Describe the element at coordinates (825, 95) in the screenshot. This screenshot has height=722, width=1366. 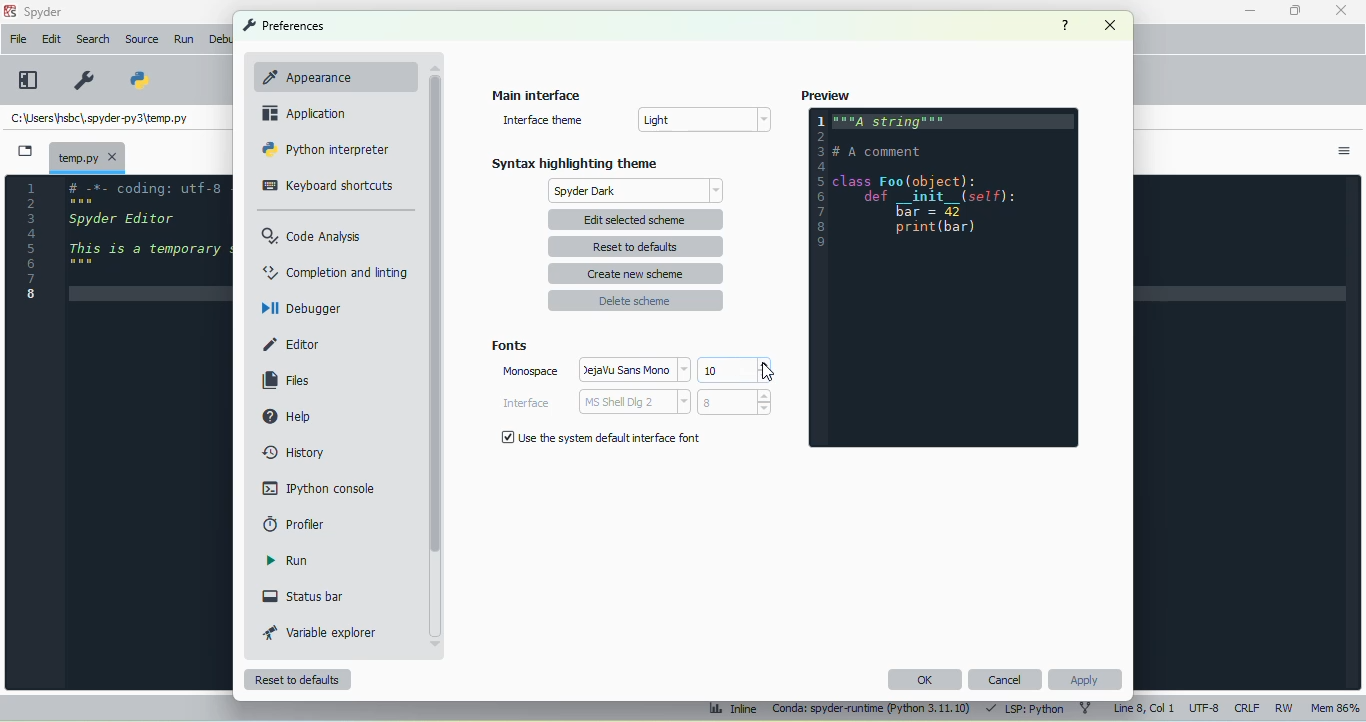
I see `preview` at that location.